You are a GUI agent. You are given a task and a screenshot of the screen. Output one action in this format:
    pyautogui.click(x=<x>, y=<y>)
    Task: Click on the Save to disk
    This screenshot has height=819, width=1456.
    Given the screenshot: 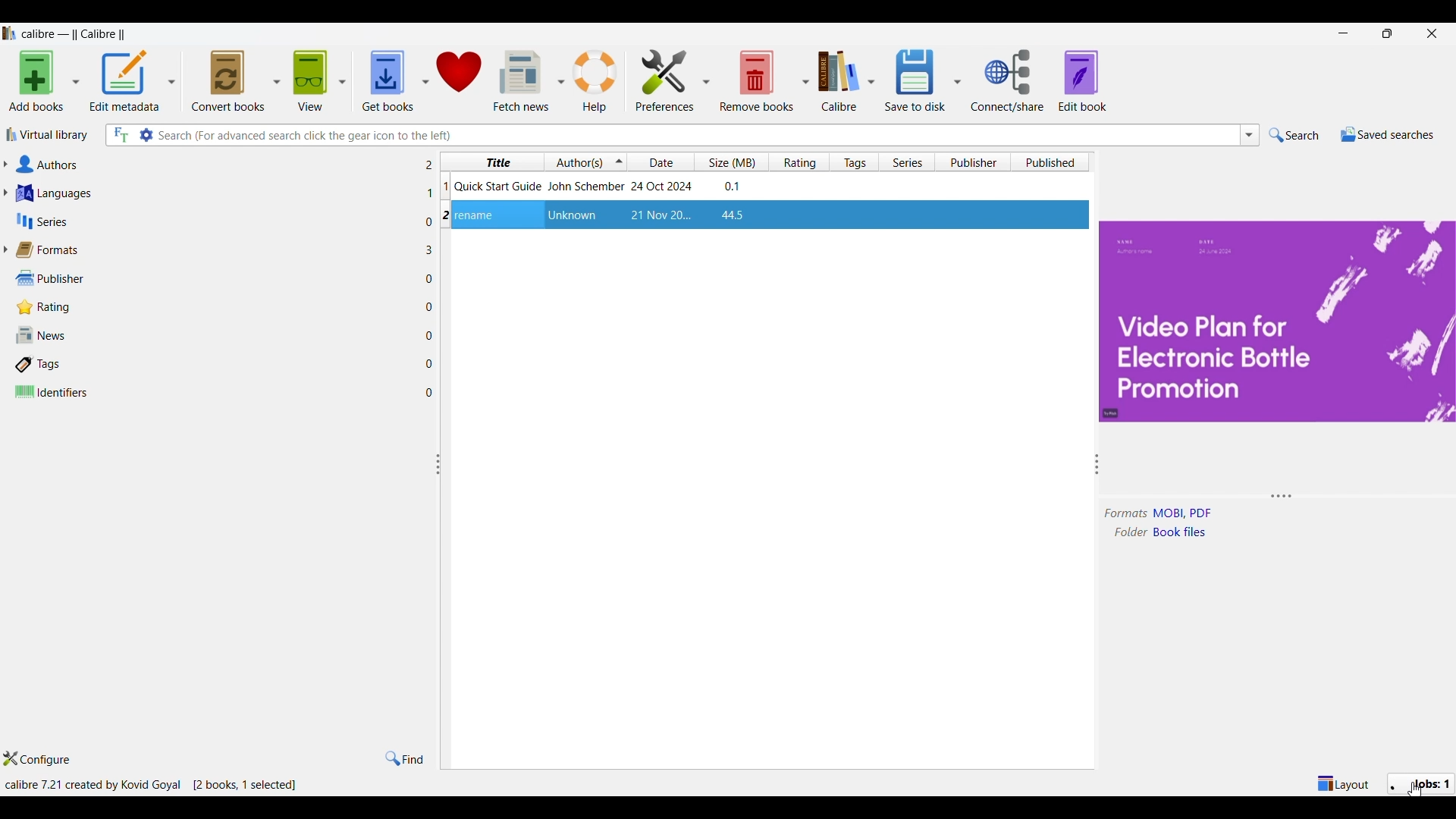 What is the action you would take?
    pyautogui.click(x=915, y=81)
    